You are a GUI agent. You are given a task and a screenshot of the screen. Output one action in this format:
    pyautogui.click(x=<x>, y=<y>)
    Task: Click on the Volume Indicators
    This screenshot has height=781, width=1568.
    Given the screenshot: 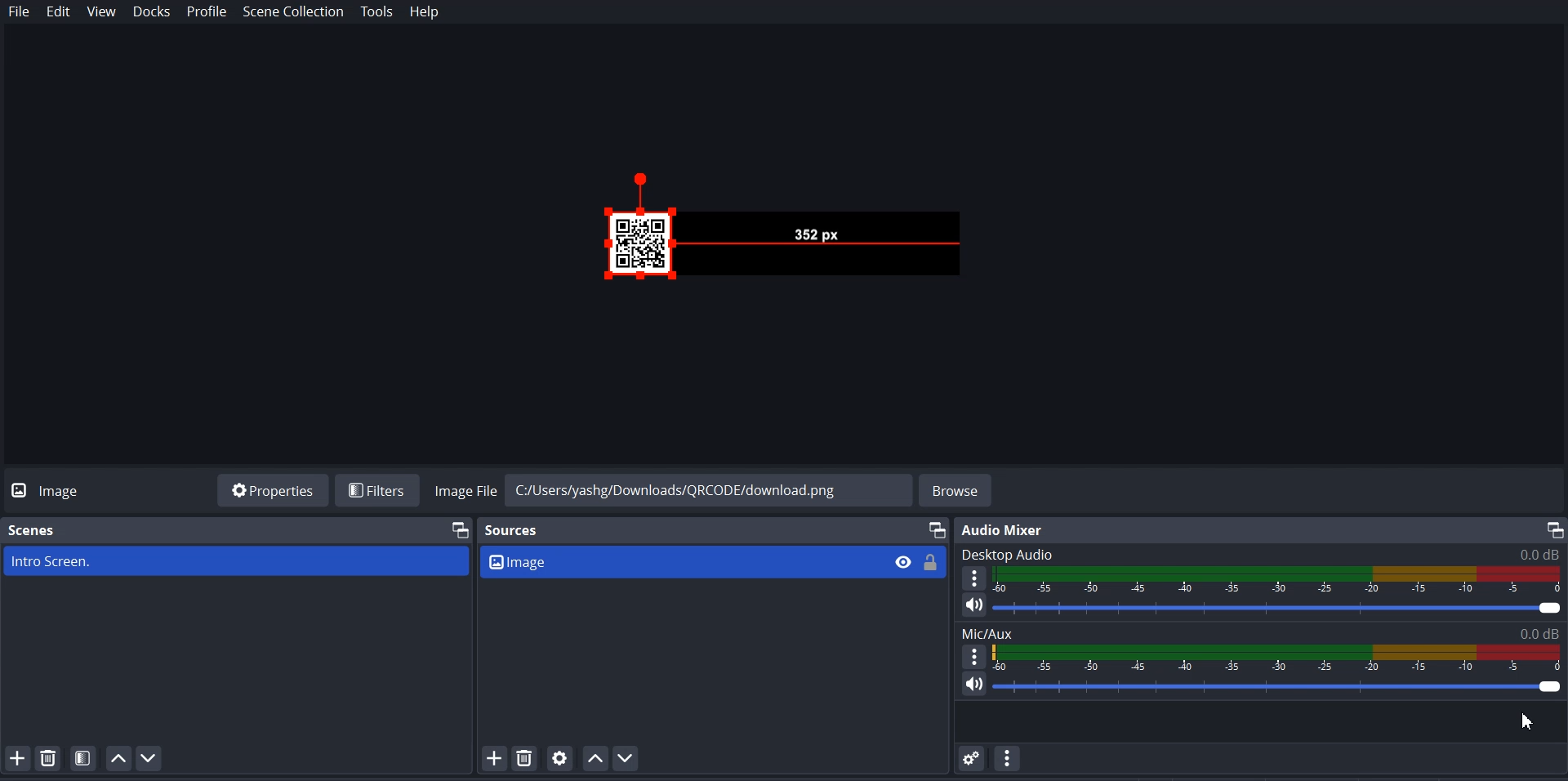 What is the action you would take?
    pyautogui.click(x=1279, y=658)
    